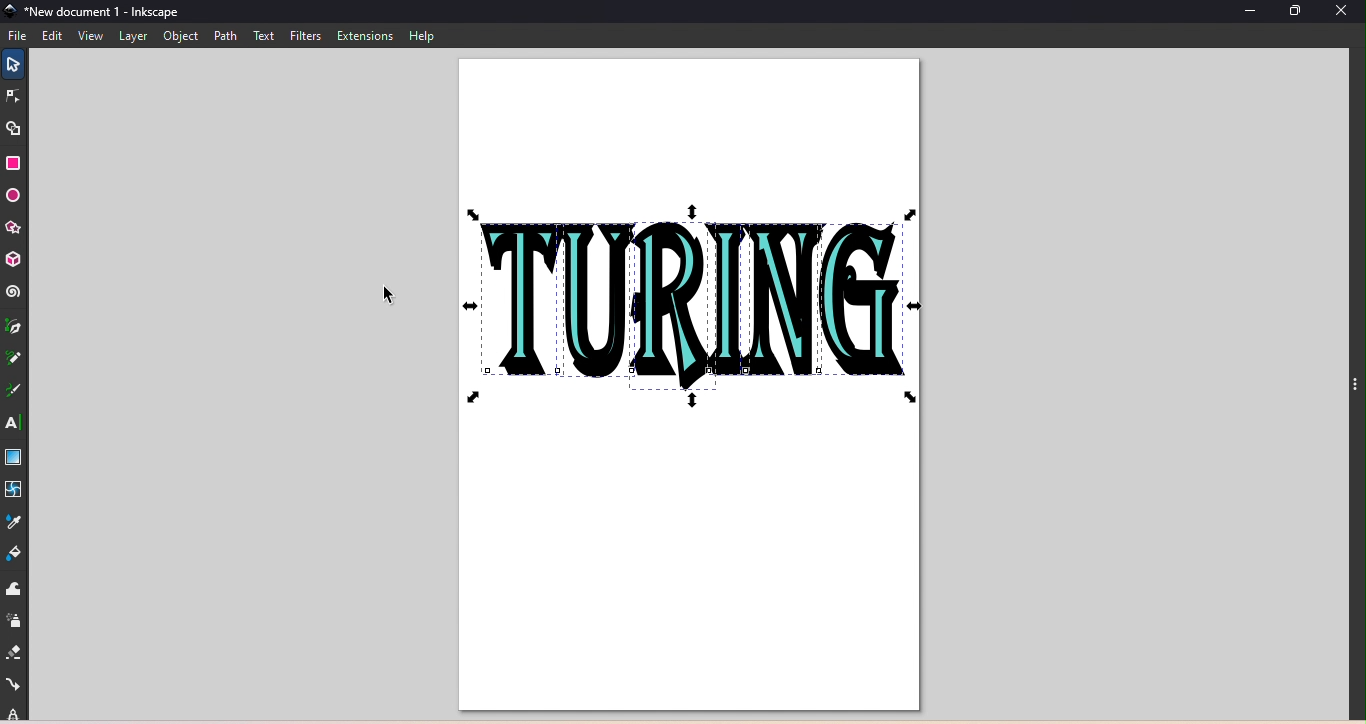 The image size is (1366, 724). What do you see at coordinates (1347, 14) in the screenshot?
I see `Close` at bounding box center [1347, 14].